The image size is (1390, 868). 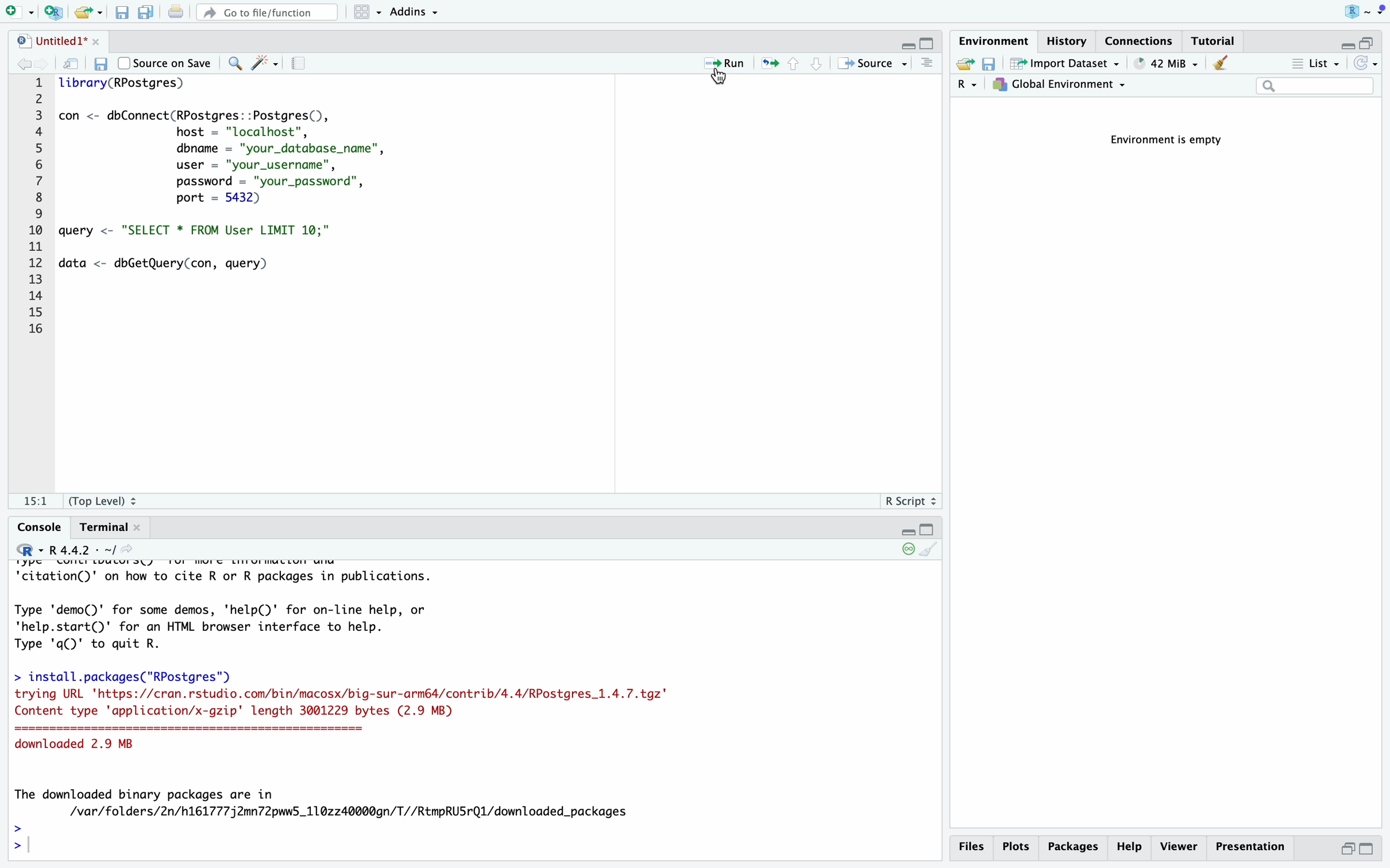 I want to click on open an existing file, so click(x=89, y=12).